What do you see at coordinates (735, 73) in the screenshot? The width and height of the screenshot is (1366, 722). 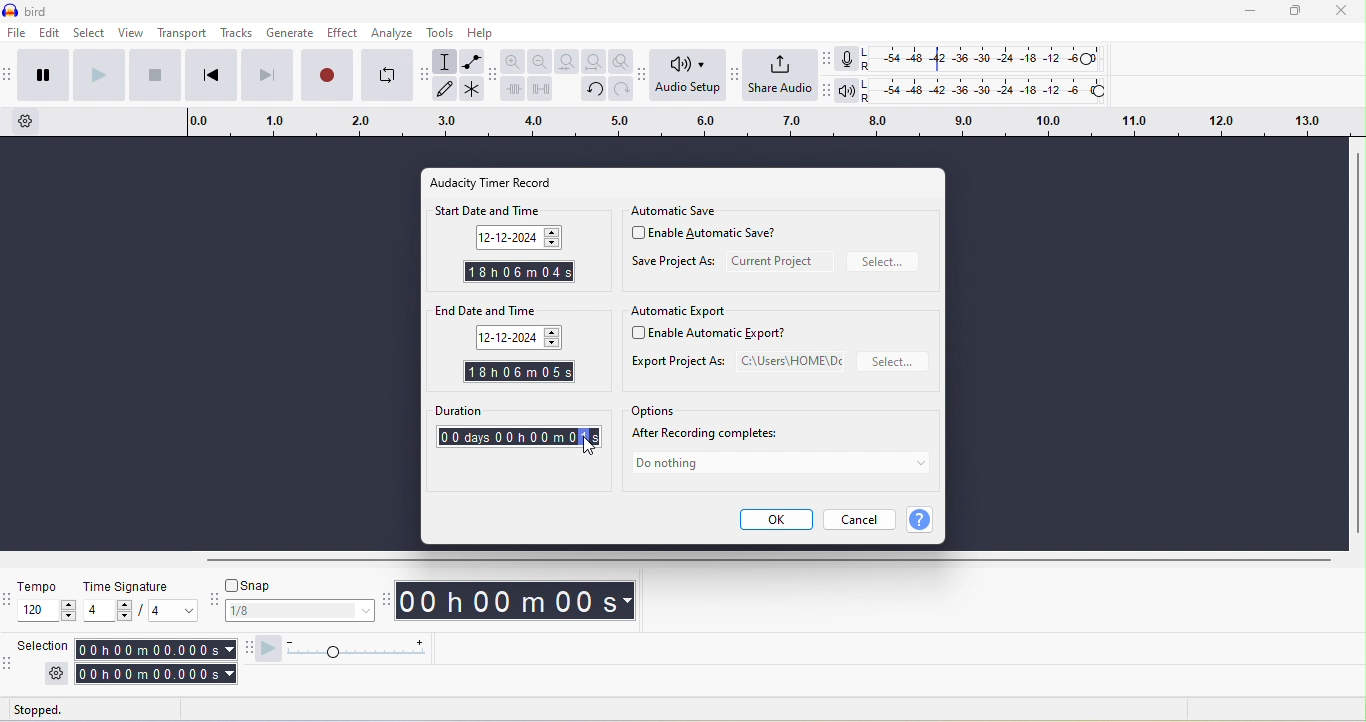 I see `audacity share audio toolbar` at bounding box center [735, 73].